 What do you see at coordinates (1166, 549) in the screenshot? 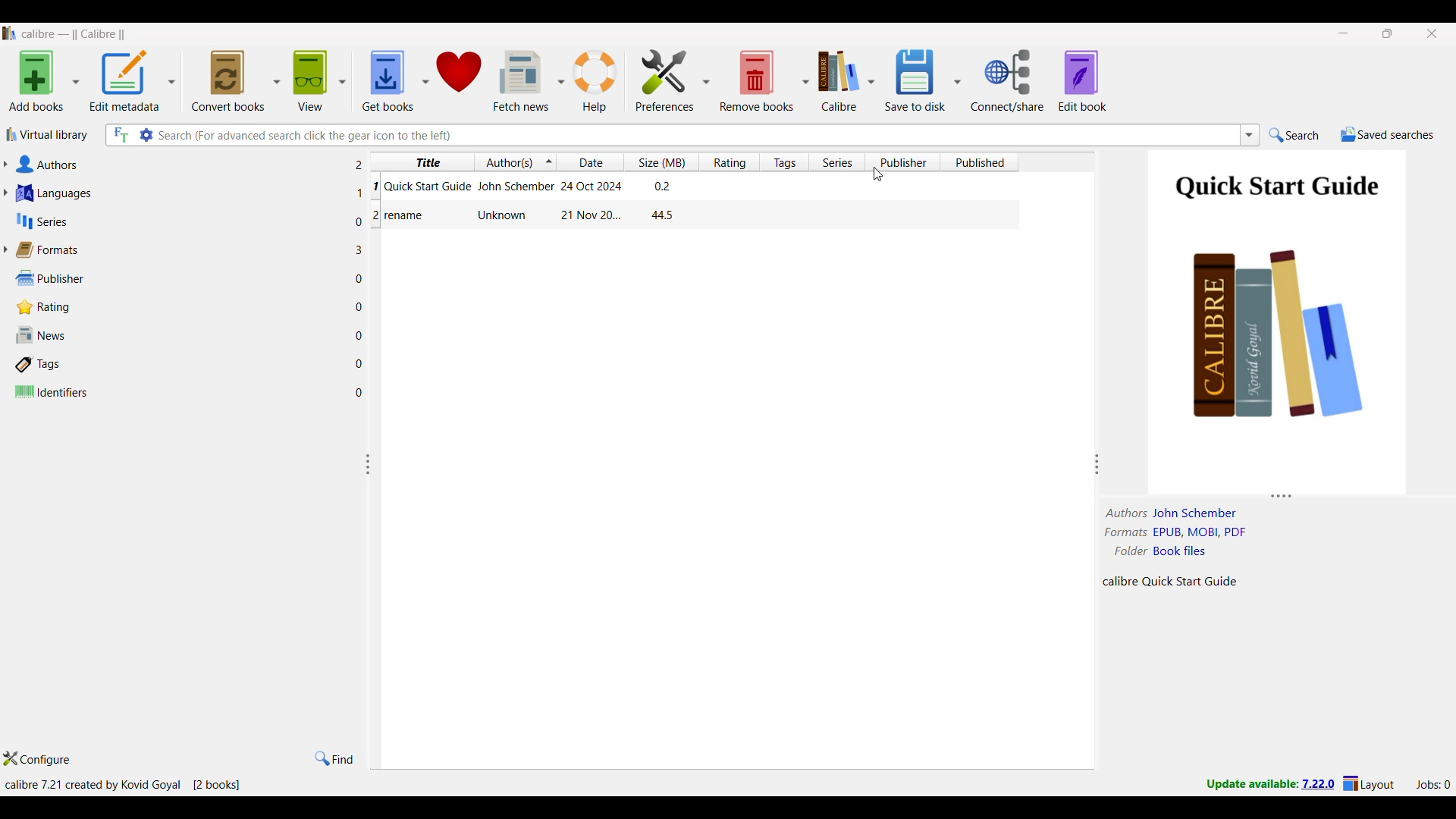
I see `Folder` at bounding box center [1166, 549].